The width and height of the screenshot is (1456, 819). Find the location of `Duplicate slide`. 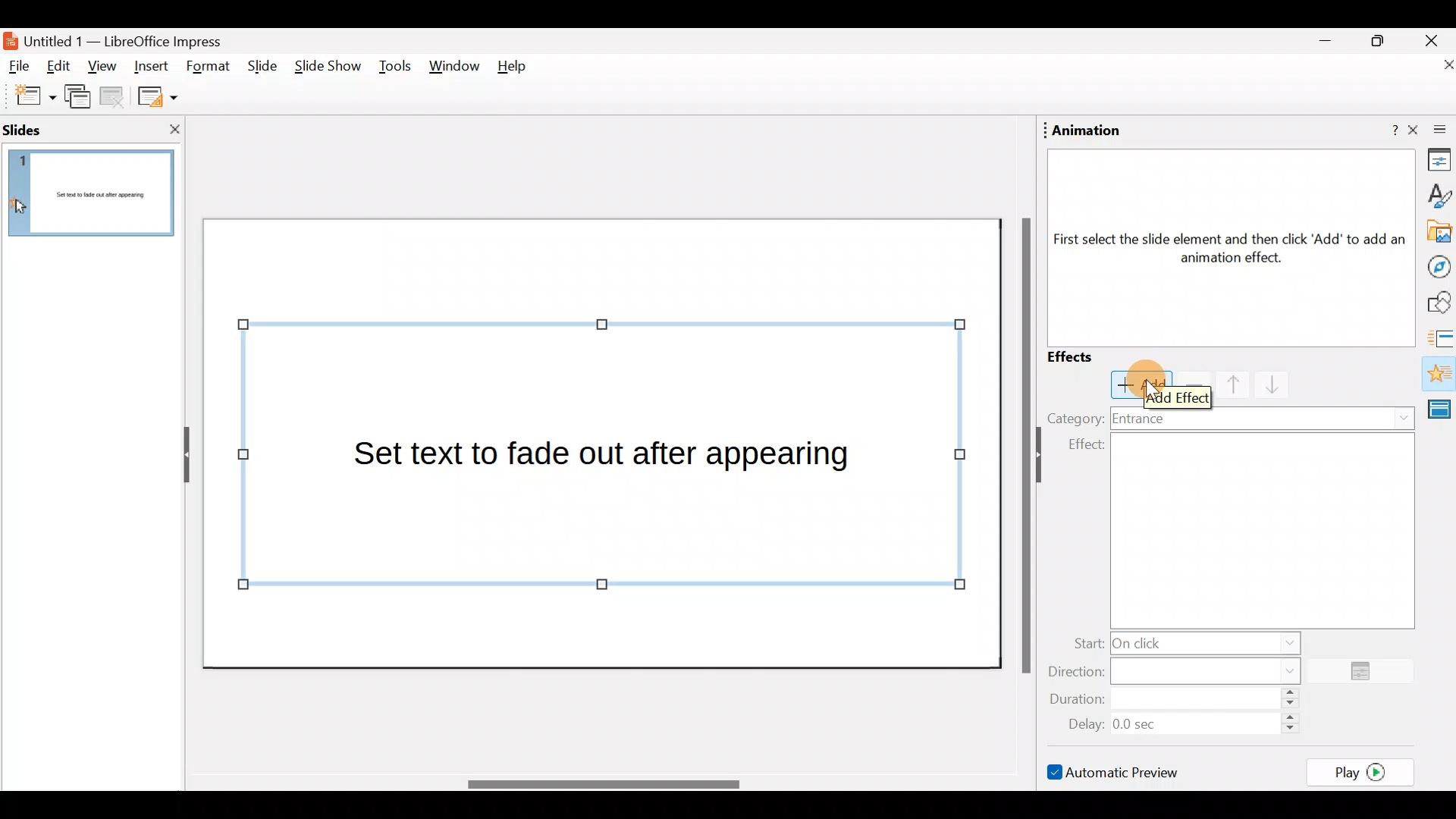

Duplicate slide is located at coordinates (80, 99).